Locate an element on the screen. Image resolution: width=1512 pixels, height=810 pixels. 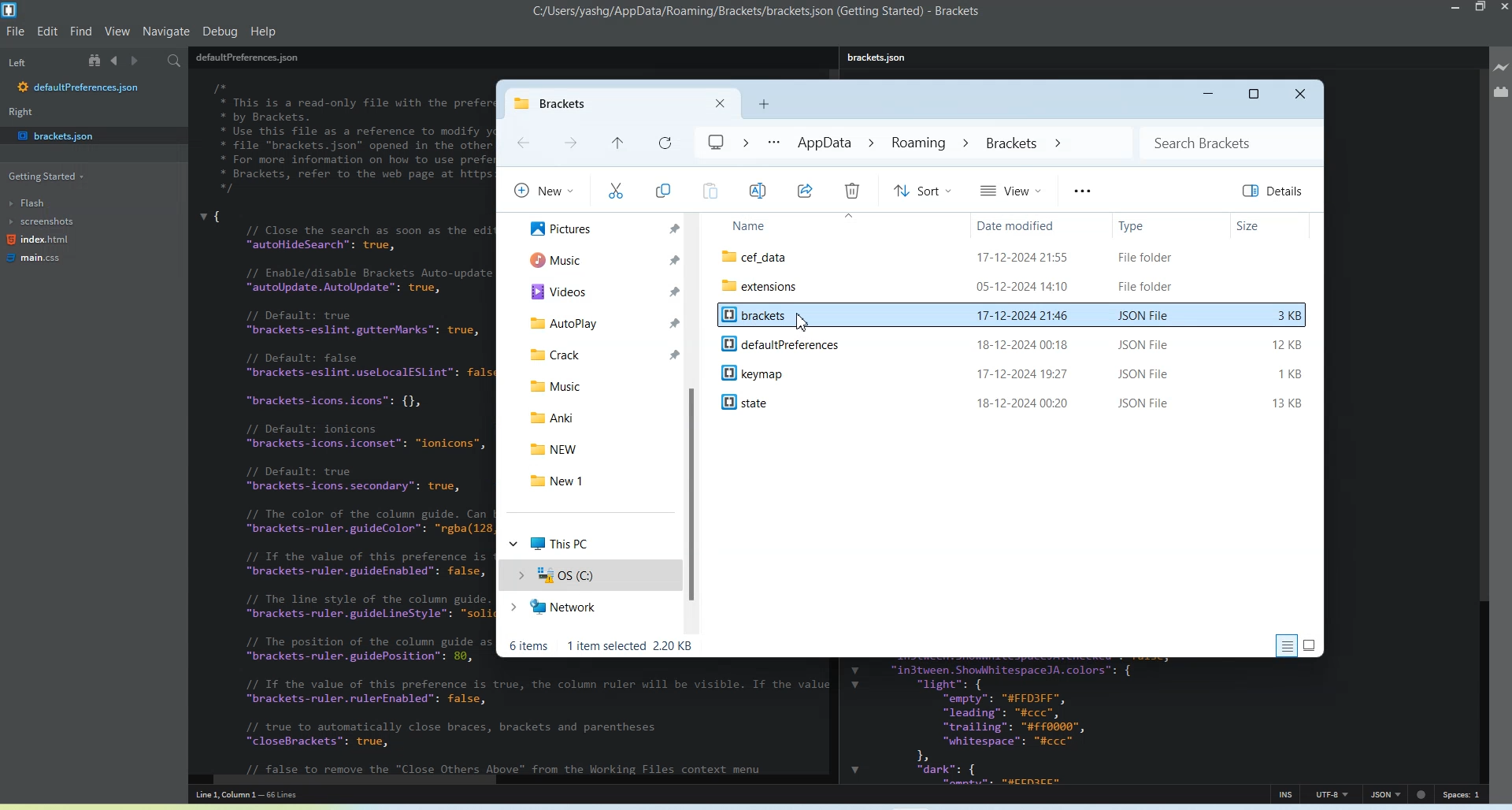
NEW is located at coordinates (599, 447).